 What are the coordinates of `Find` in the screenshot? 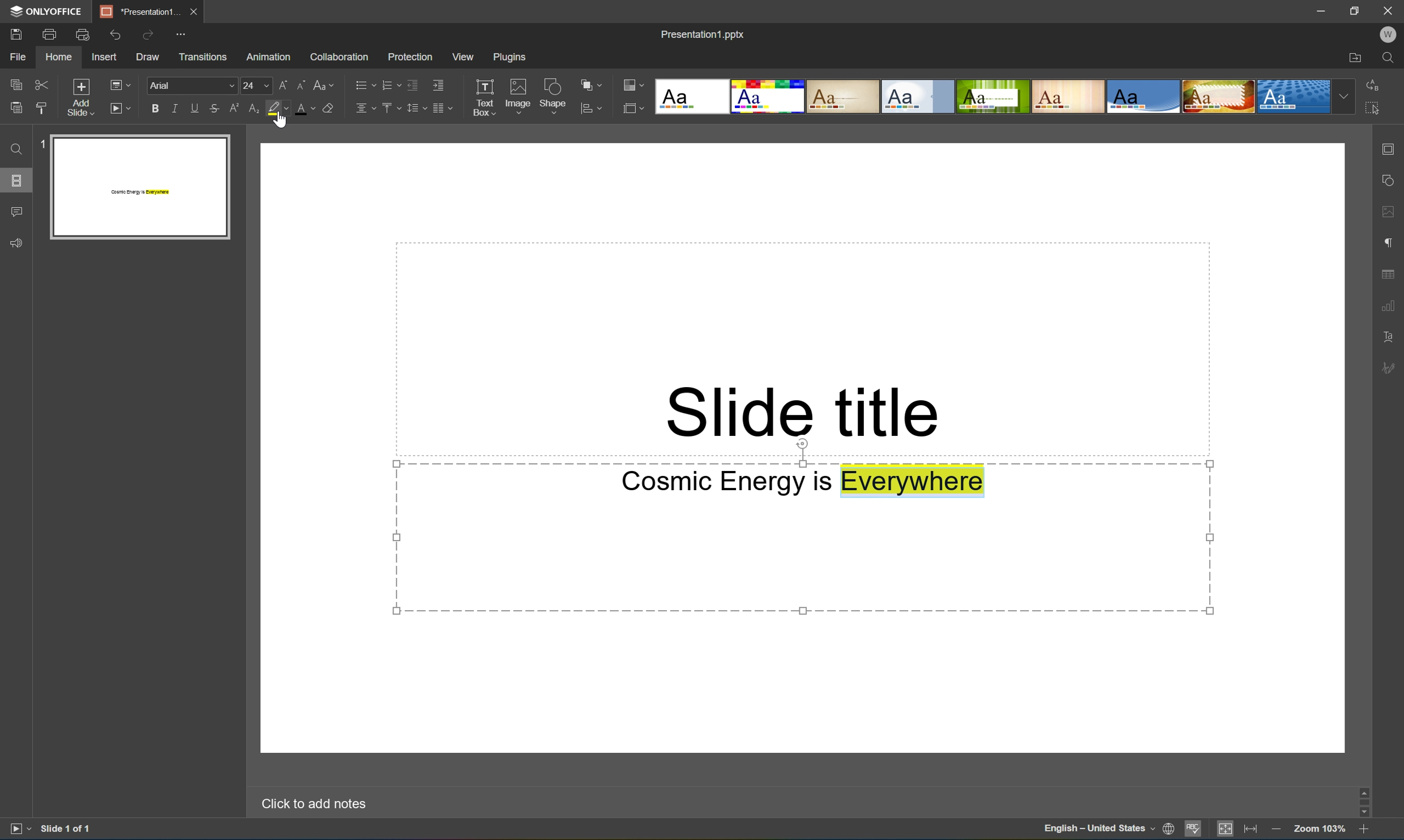 It's located at (1390, 59).